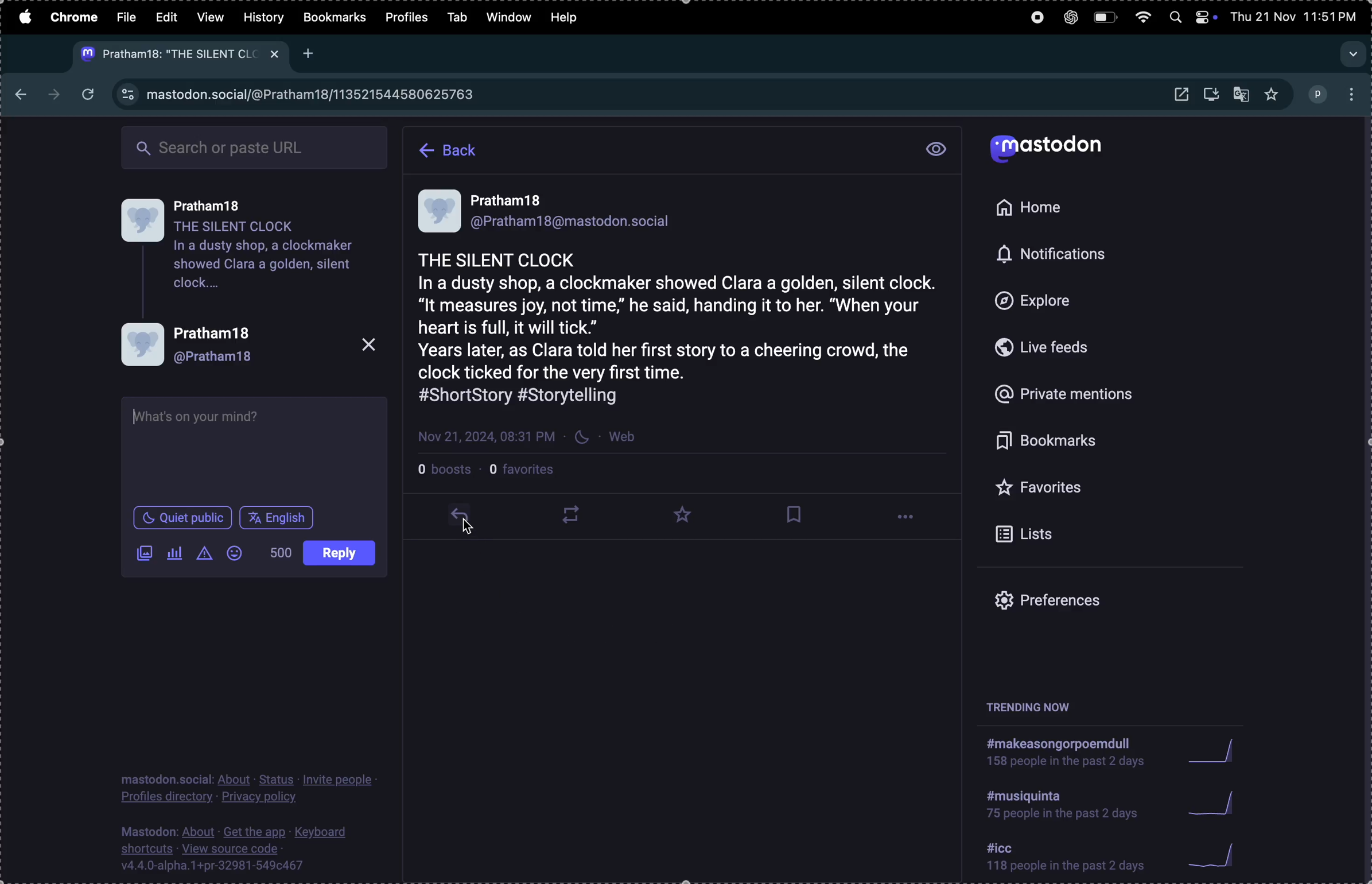  What do you see at coordinates (263, 17) in the screenshot?
I see `history` at bounding box center [263, 17].